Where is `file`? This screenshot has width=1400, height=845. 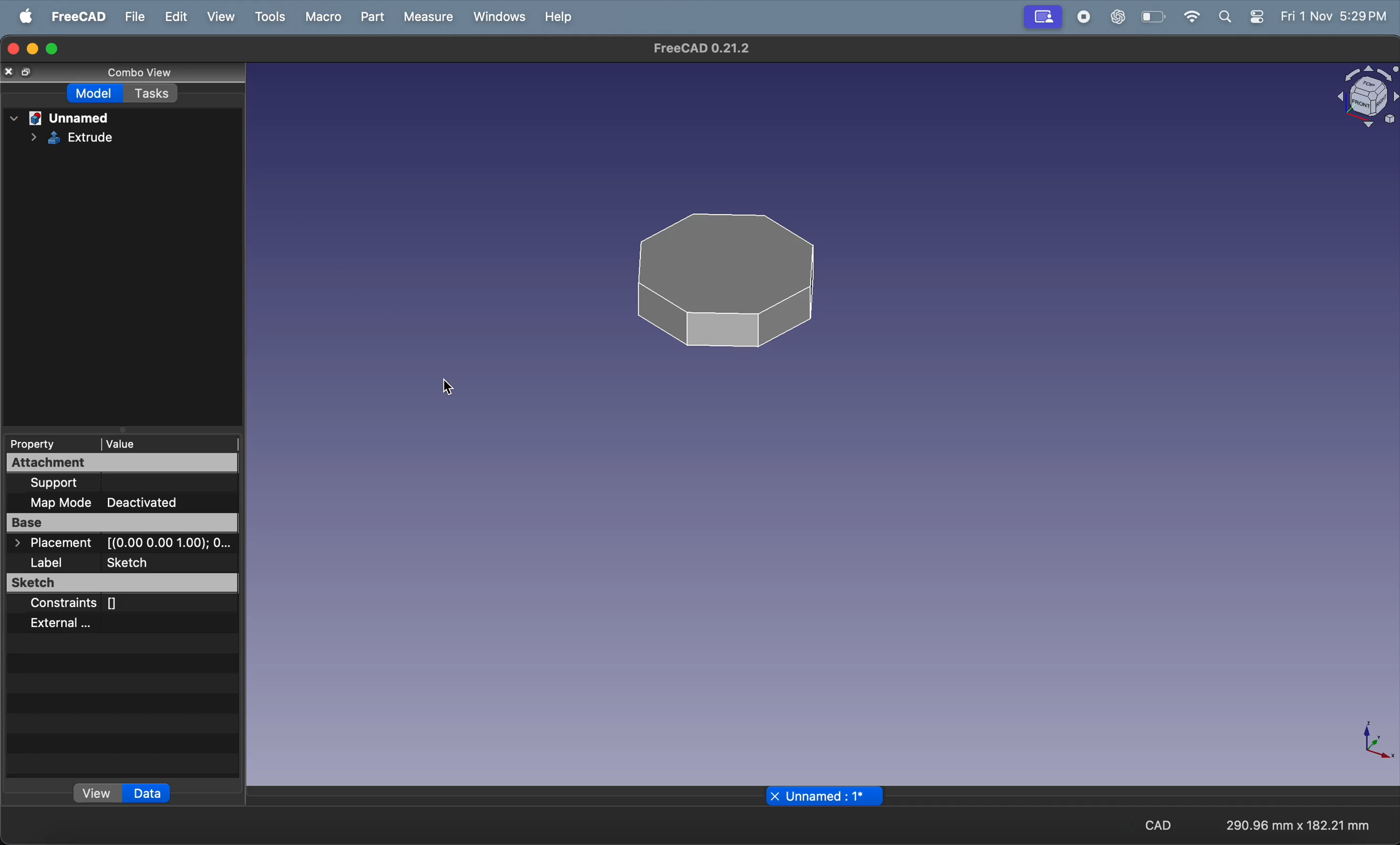 file is located at coordinates (134, 15).